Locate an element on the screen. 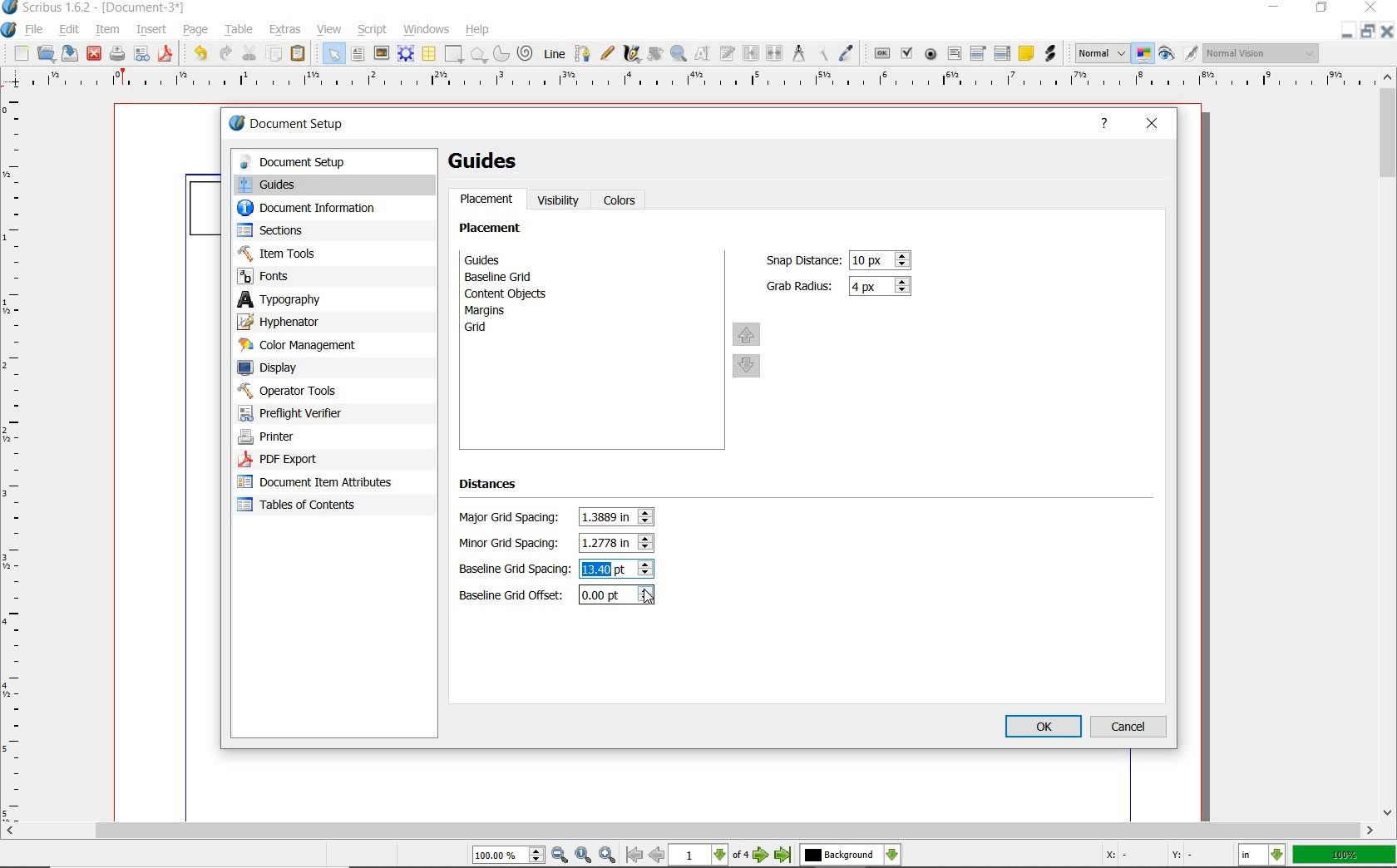 This screenshot has height=868, width=1397. X: - Y: - is located at coordinates (1146, 855).